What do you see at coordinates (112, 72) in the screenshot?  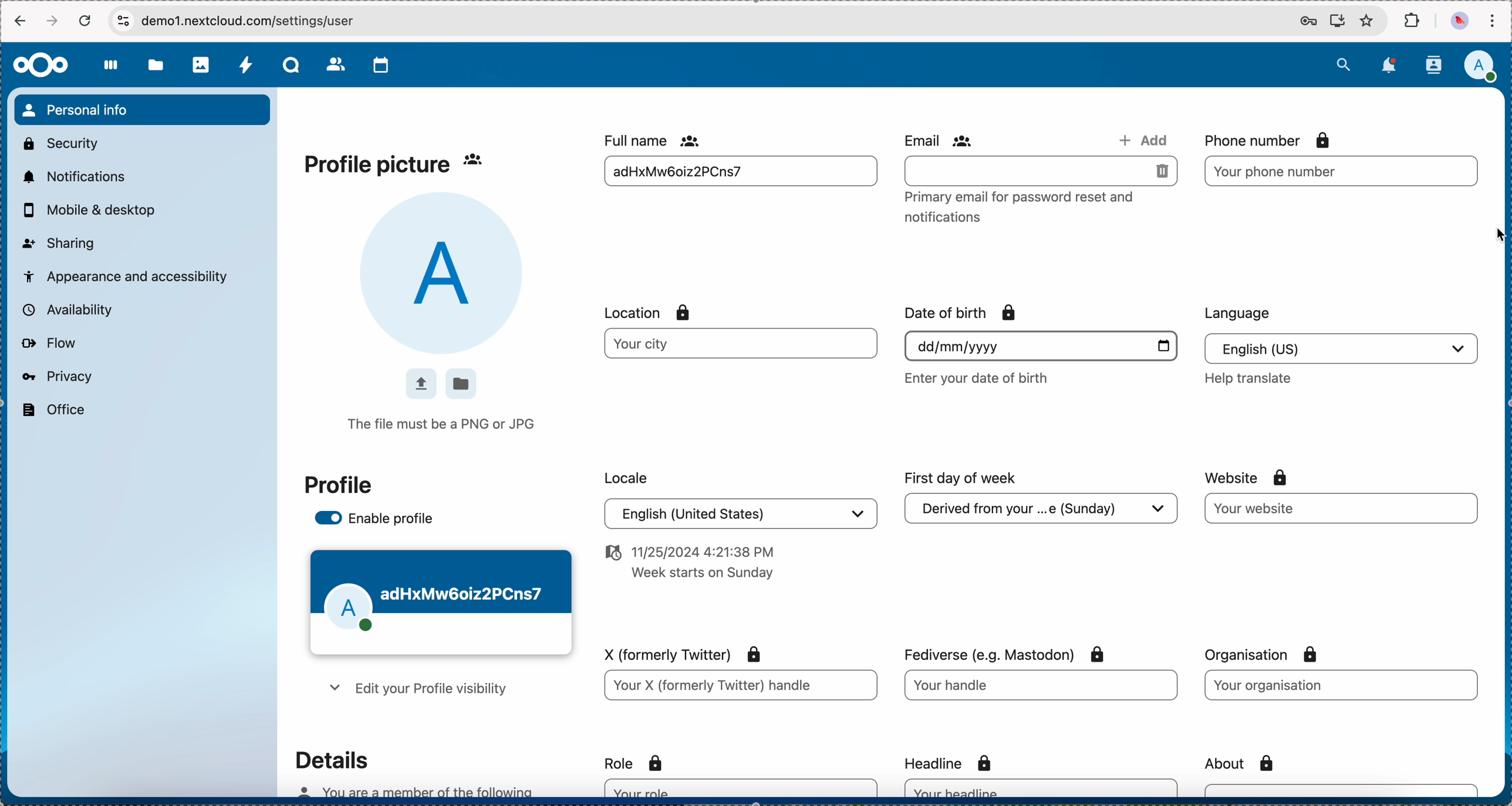 I see `dashboard` at bounding box center [112, 72].